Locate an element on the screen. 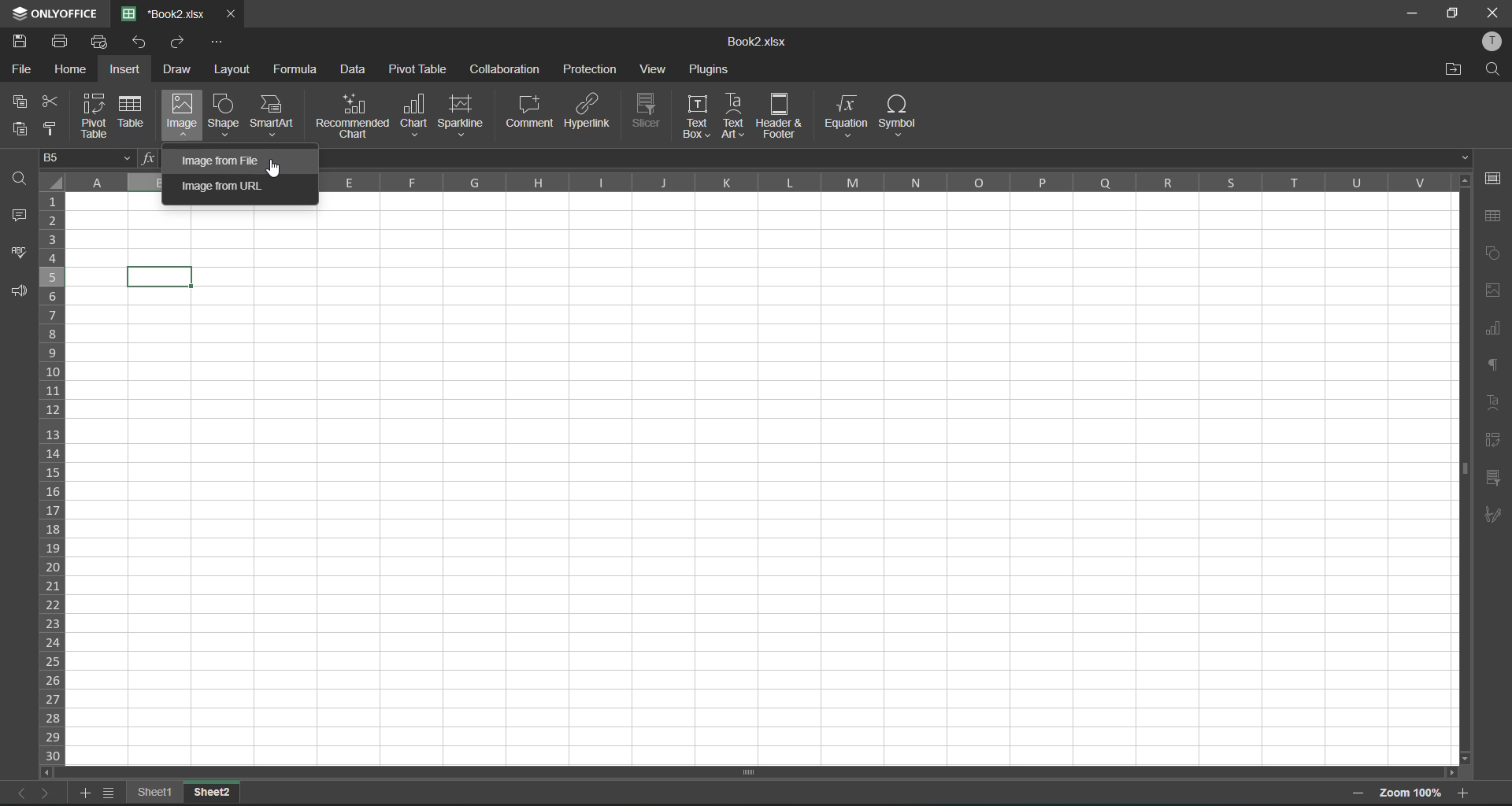 This screenshot has height=806, width=1512. view is located at coordinates (657, 72).